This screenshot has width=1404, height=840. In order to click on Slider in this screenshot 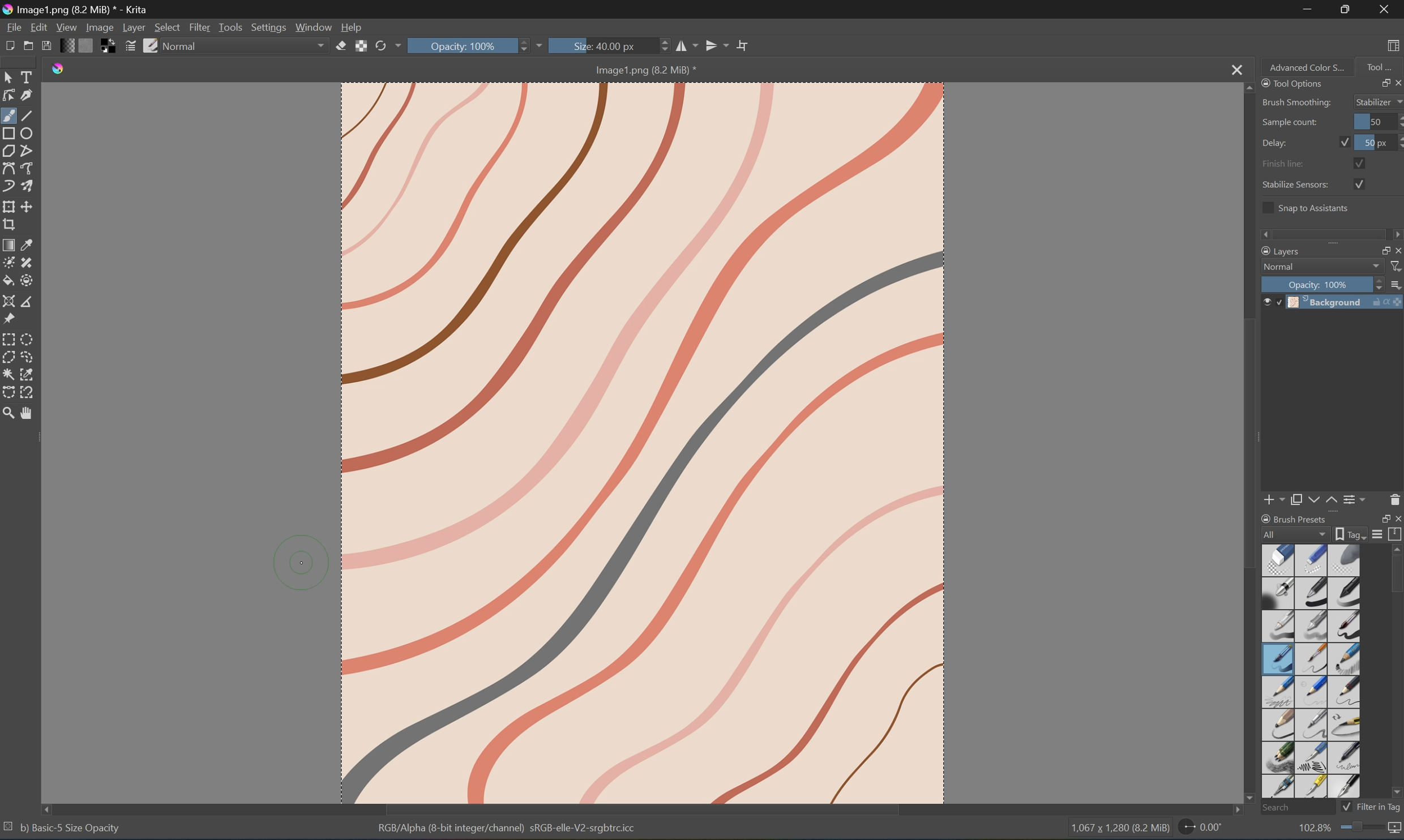, I will do `click(1375, 284)`.